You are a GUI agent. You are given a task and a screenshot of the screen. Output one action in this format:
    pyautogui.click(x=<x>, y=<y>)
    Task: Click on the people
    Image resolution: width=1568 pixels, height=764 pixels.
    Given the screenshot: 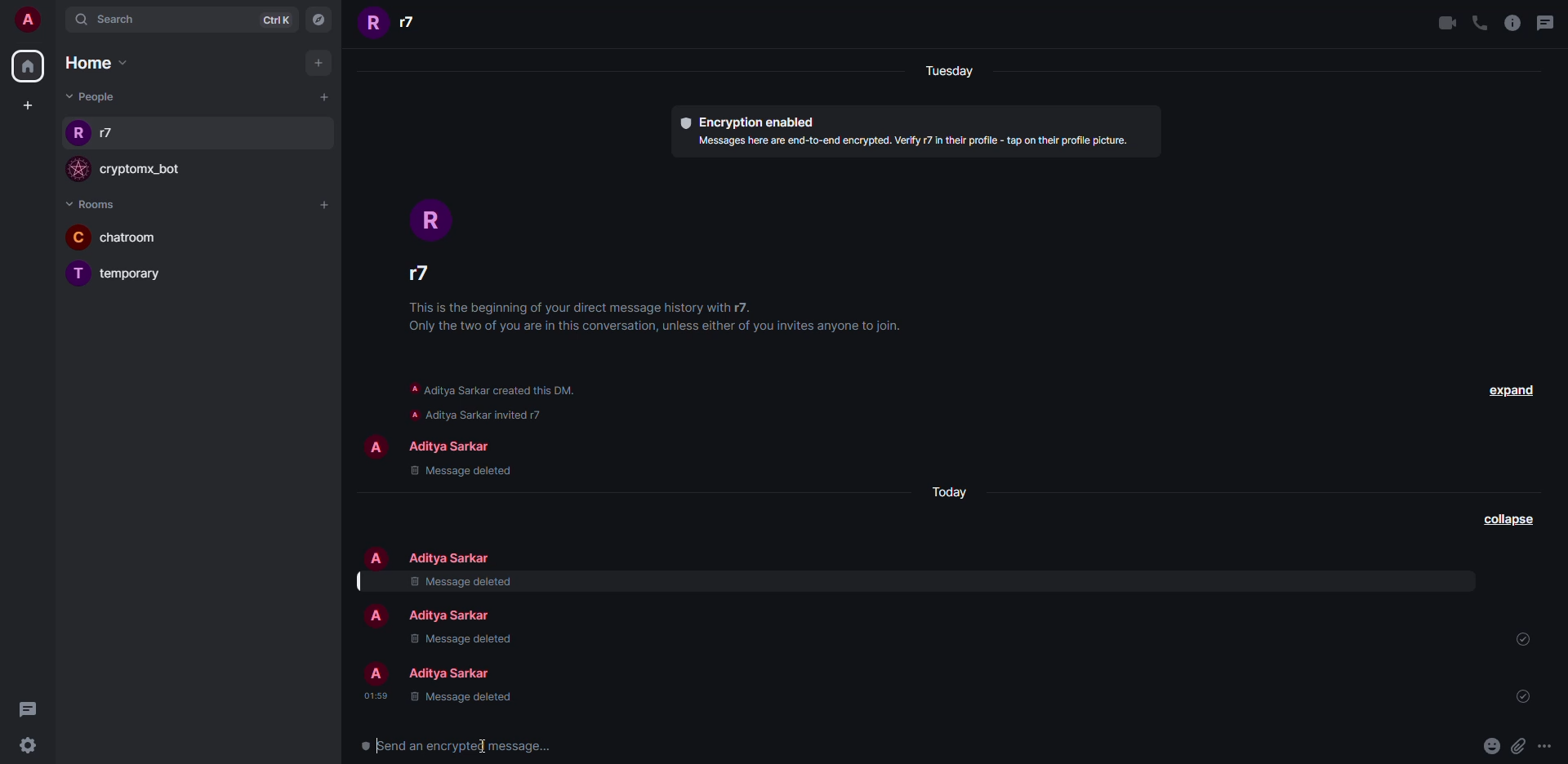 What is the action you would take?
    pyautogui.click(x=91, y=97)
    